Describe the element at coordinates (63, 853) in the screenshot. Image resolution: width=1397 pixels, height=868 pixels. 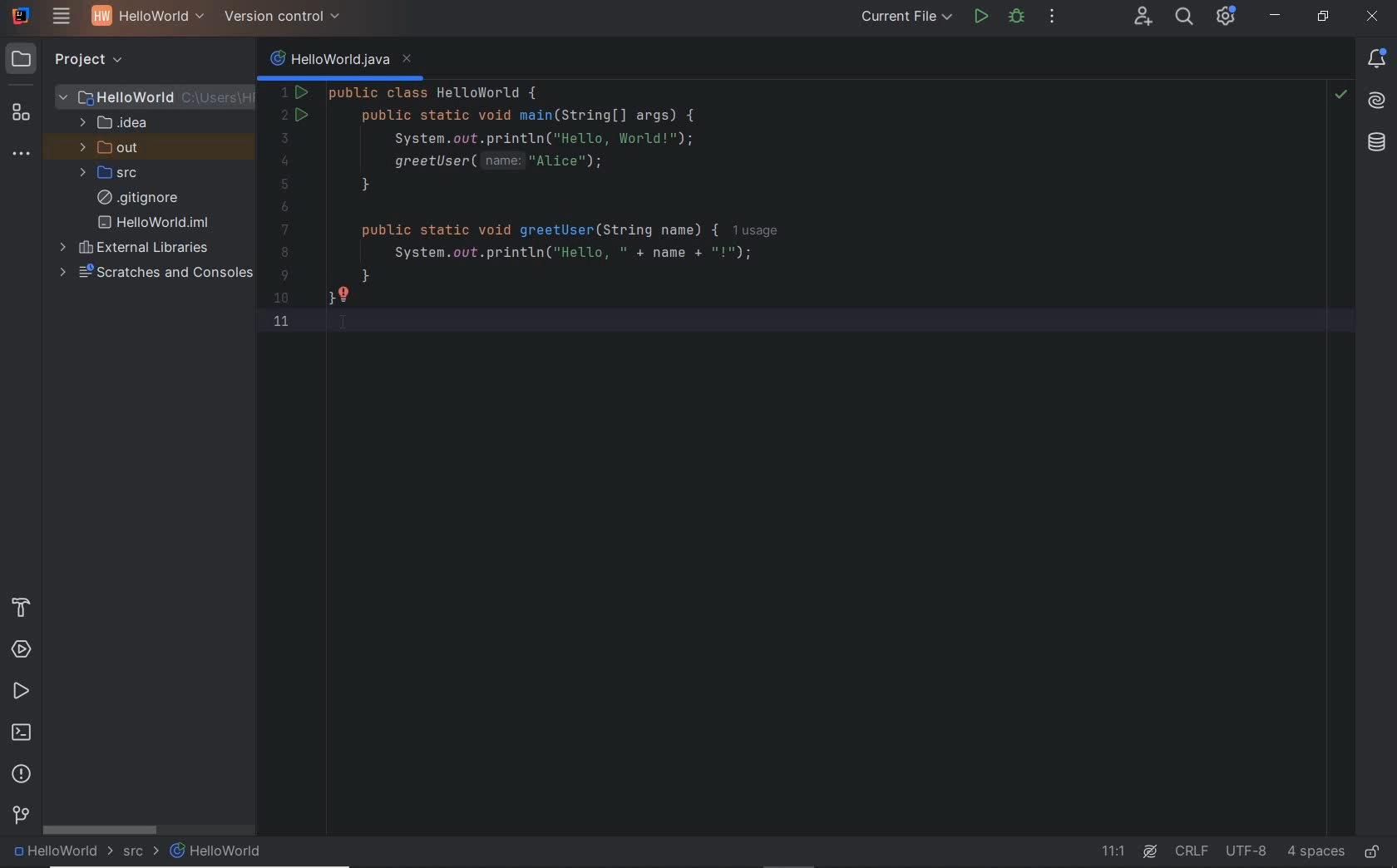
I see `HelloWorld` at that location.